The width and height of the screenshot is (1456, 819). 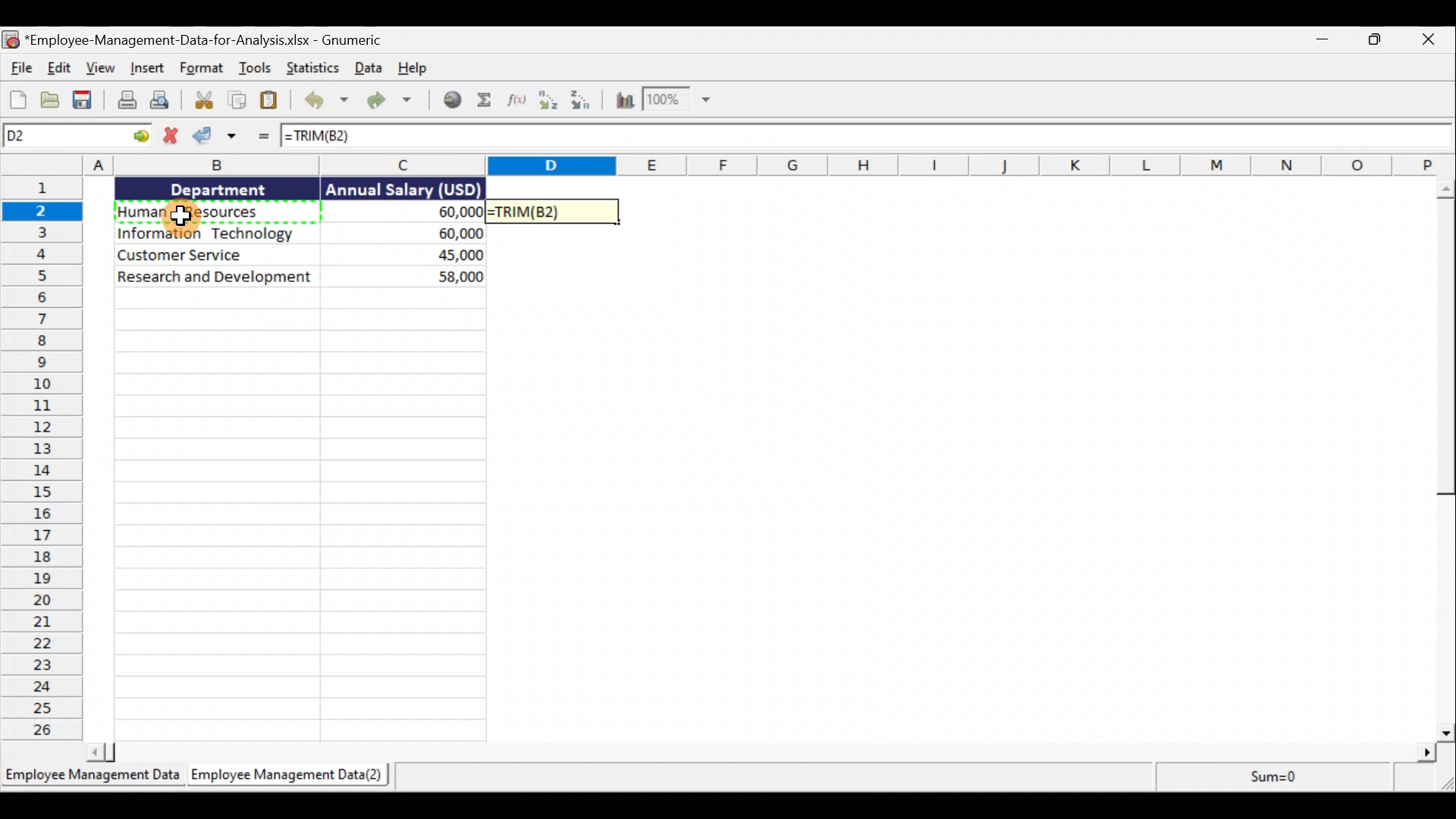 What do you see at coordinates (219, 37) in the screenshot?
I see `Document name` at bounding box center [219, 37].